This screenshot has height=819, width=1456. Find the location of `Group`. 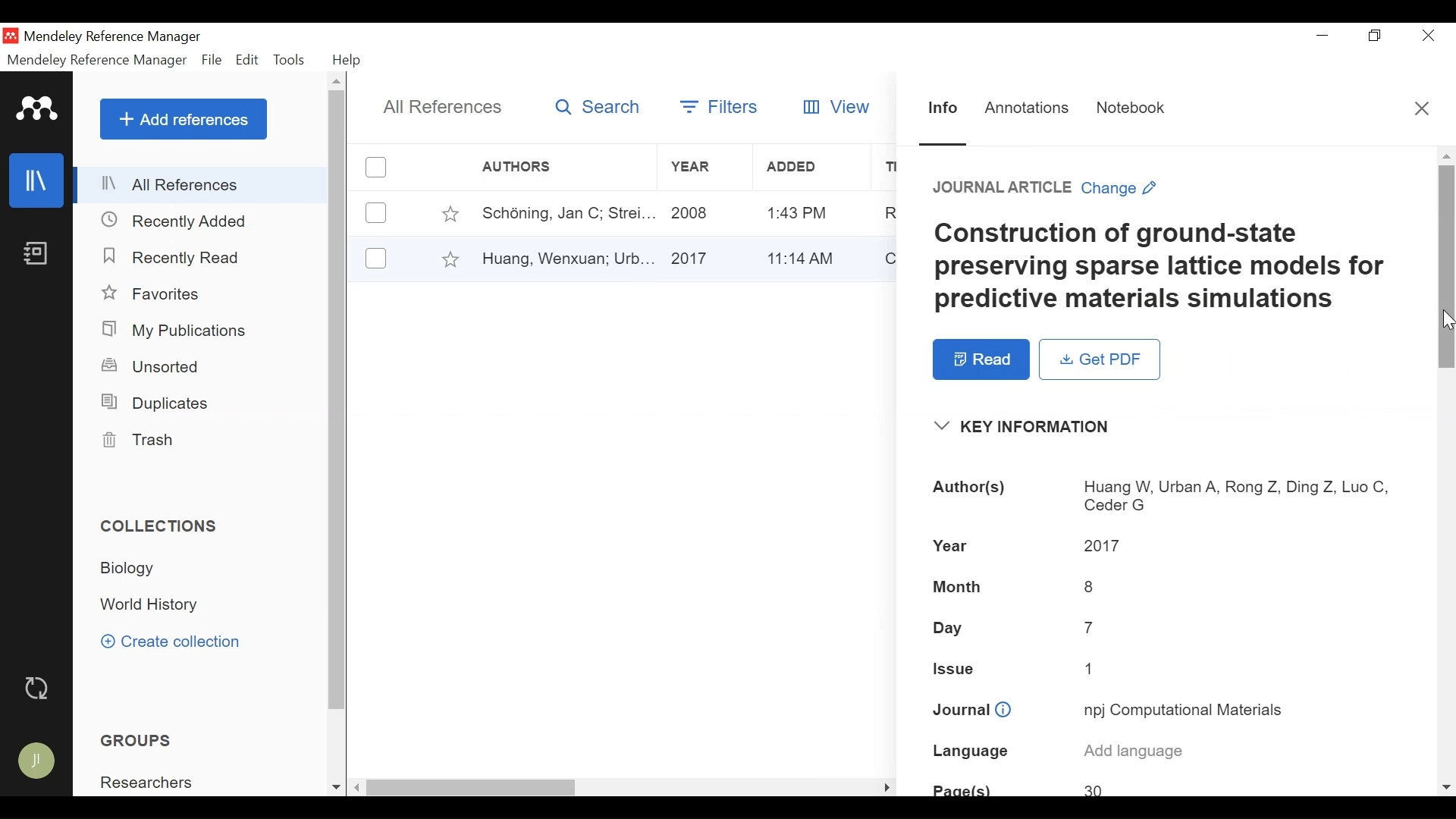

Group is located at coordinates (152, 783).